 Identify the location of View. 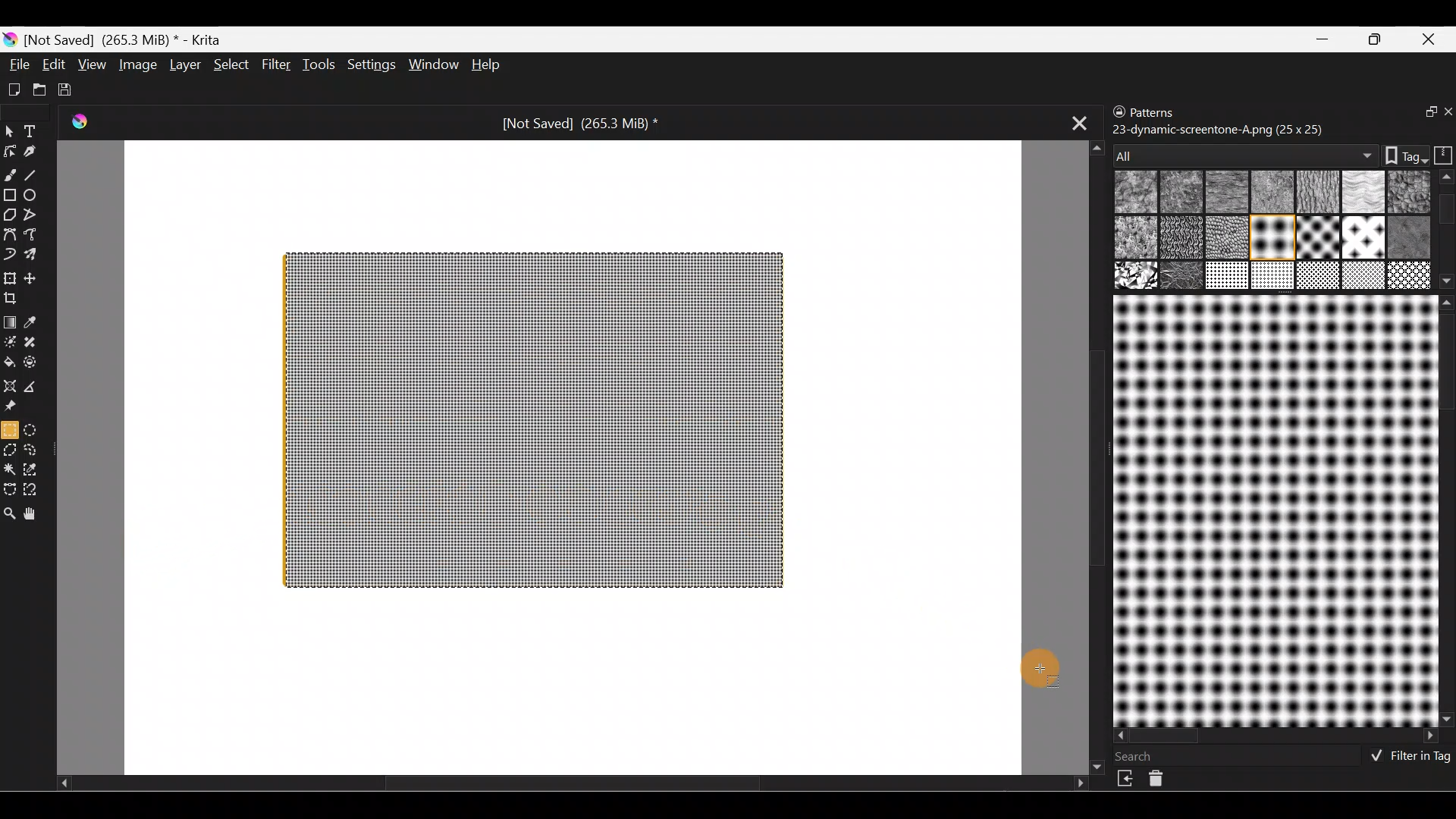
(92, 63).